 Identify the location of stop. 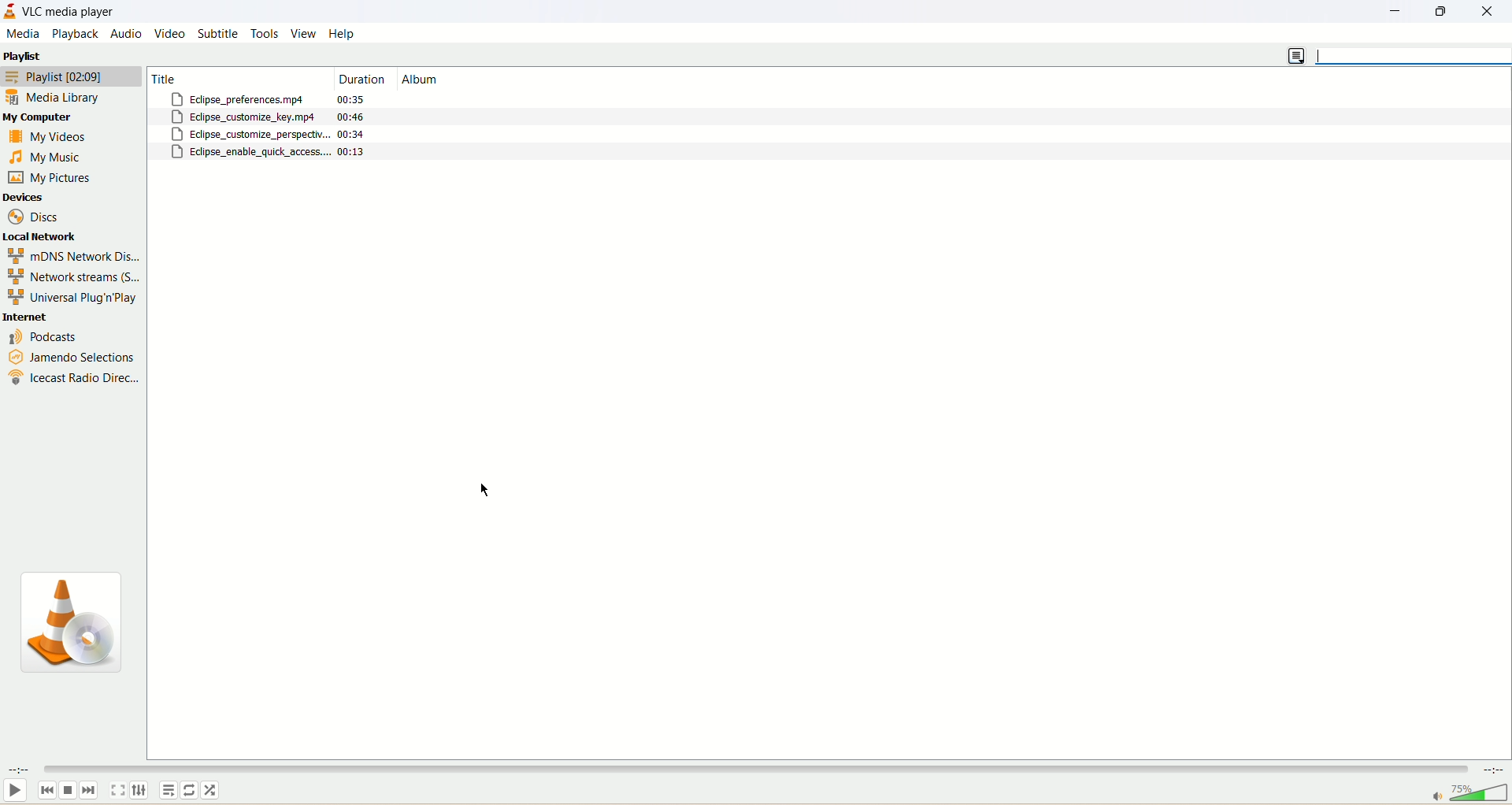
(68, 792).